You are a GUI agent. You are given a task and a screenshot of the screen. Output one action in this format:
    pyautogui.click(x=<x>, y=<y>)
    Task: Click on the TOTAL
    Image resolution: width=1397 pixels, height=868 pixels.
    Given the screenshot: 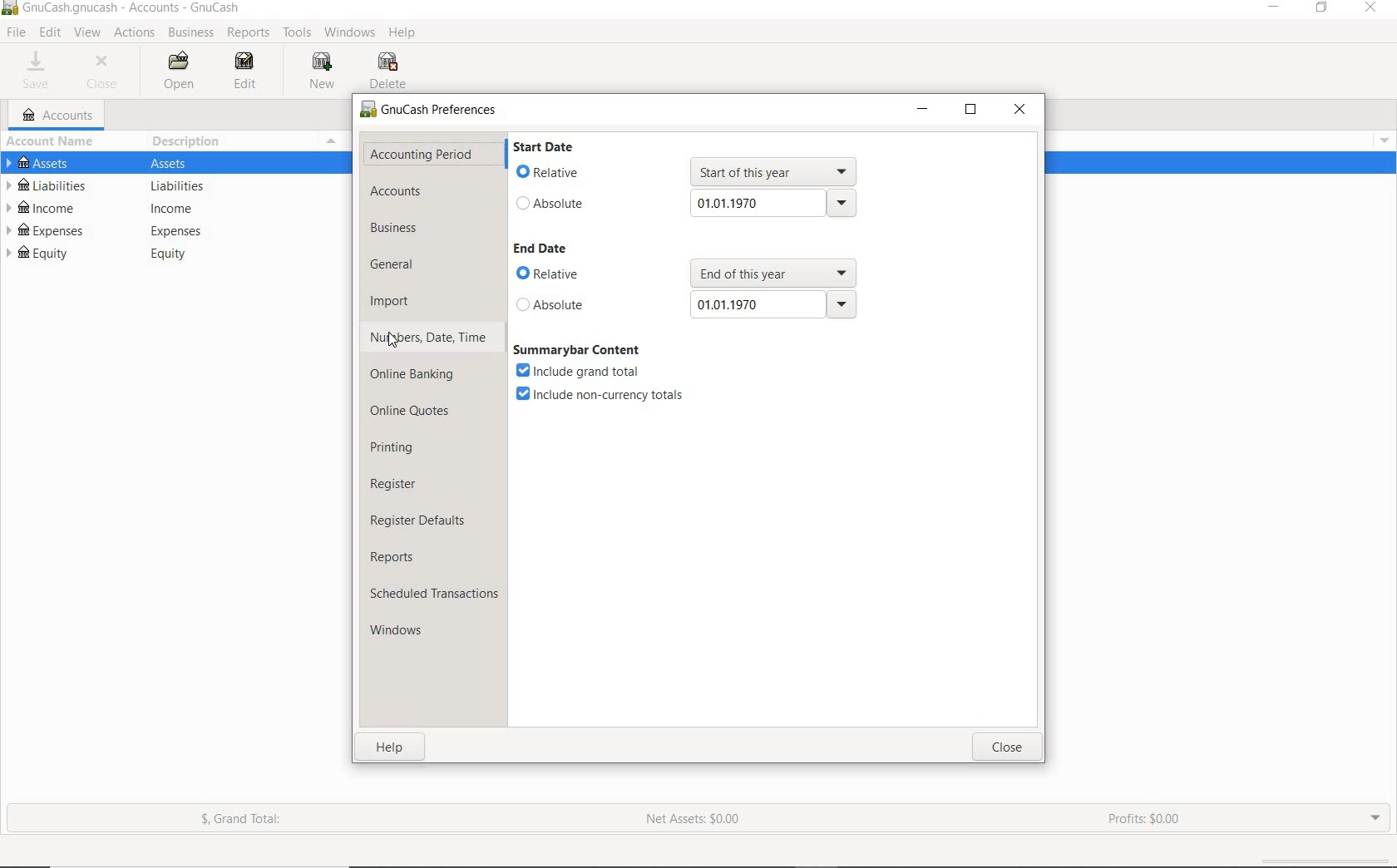 What is the action you would take?
    pyautogui.click(x=340, y=141)
    